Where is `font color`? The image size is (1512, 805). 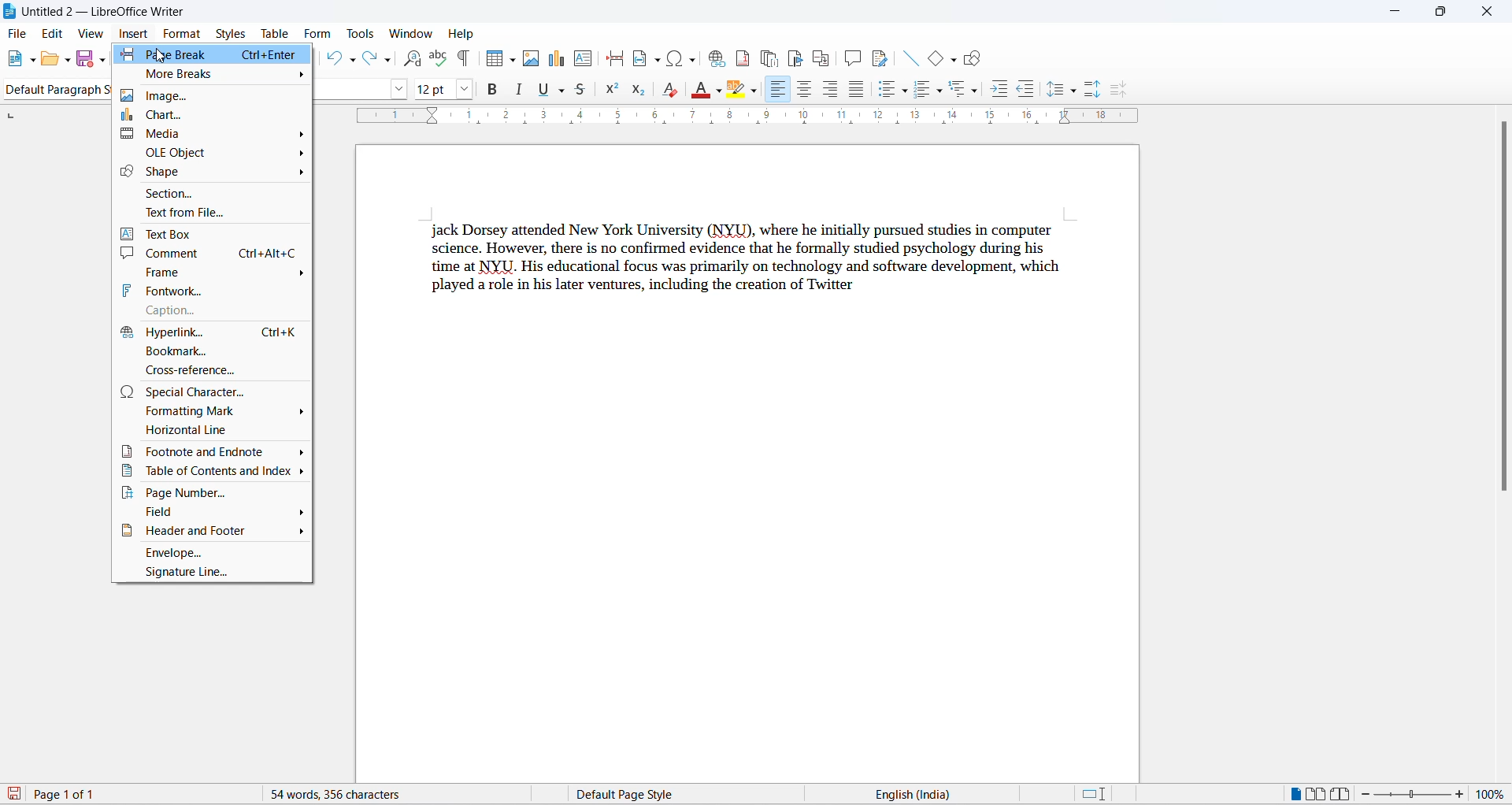 font color is located at coordinates (696, 90).